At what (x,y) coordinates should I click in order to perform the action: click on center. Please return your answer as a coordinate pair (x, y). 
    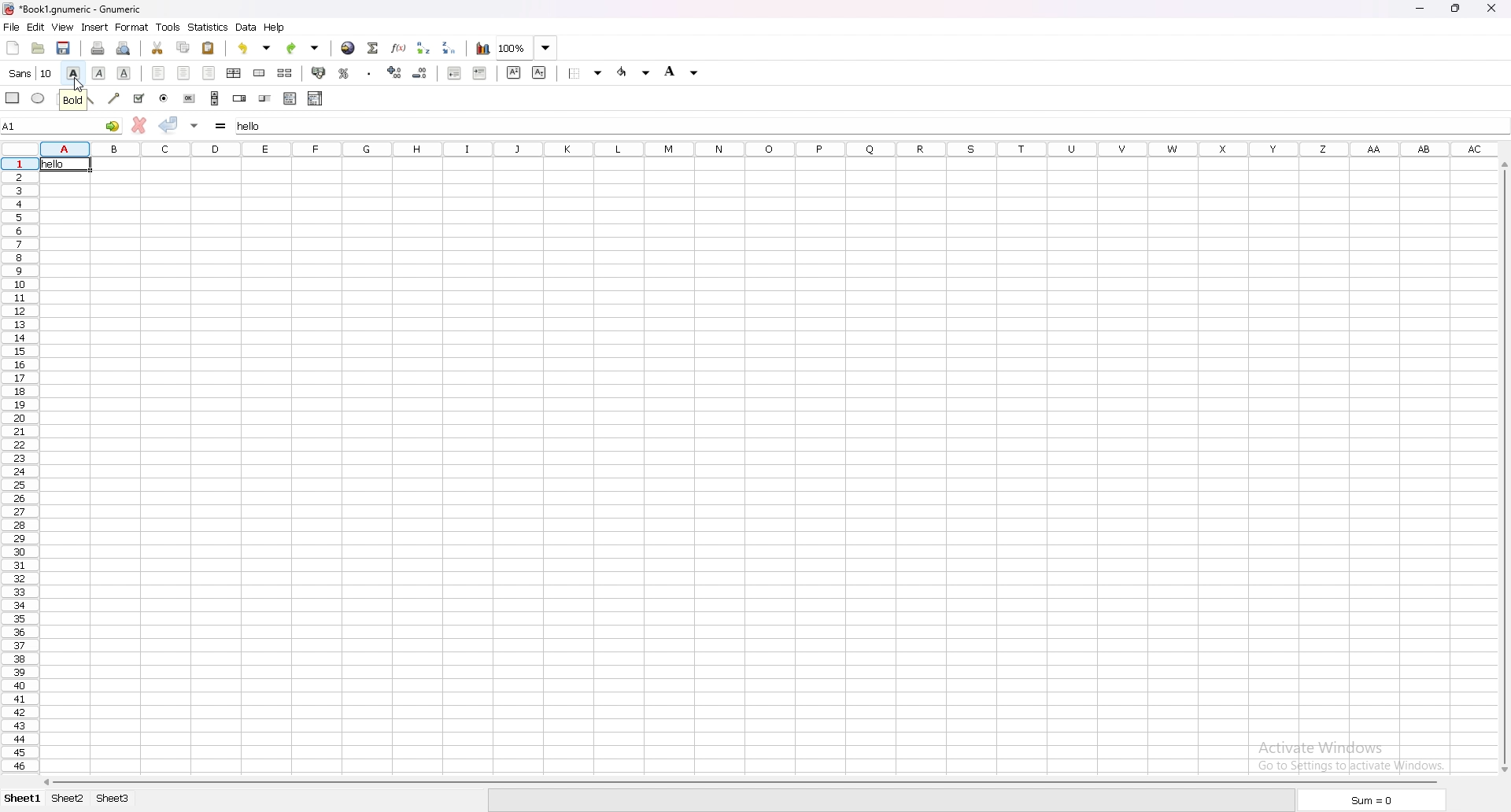
    Looking at the image, I should click on (184, 72).